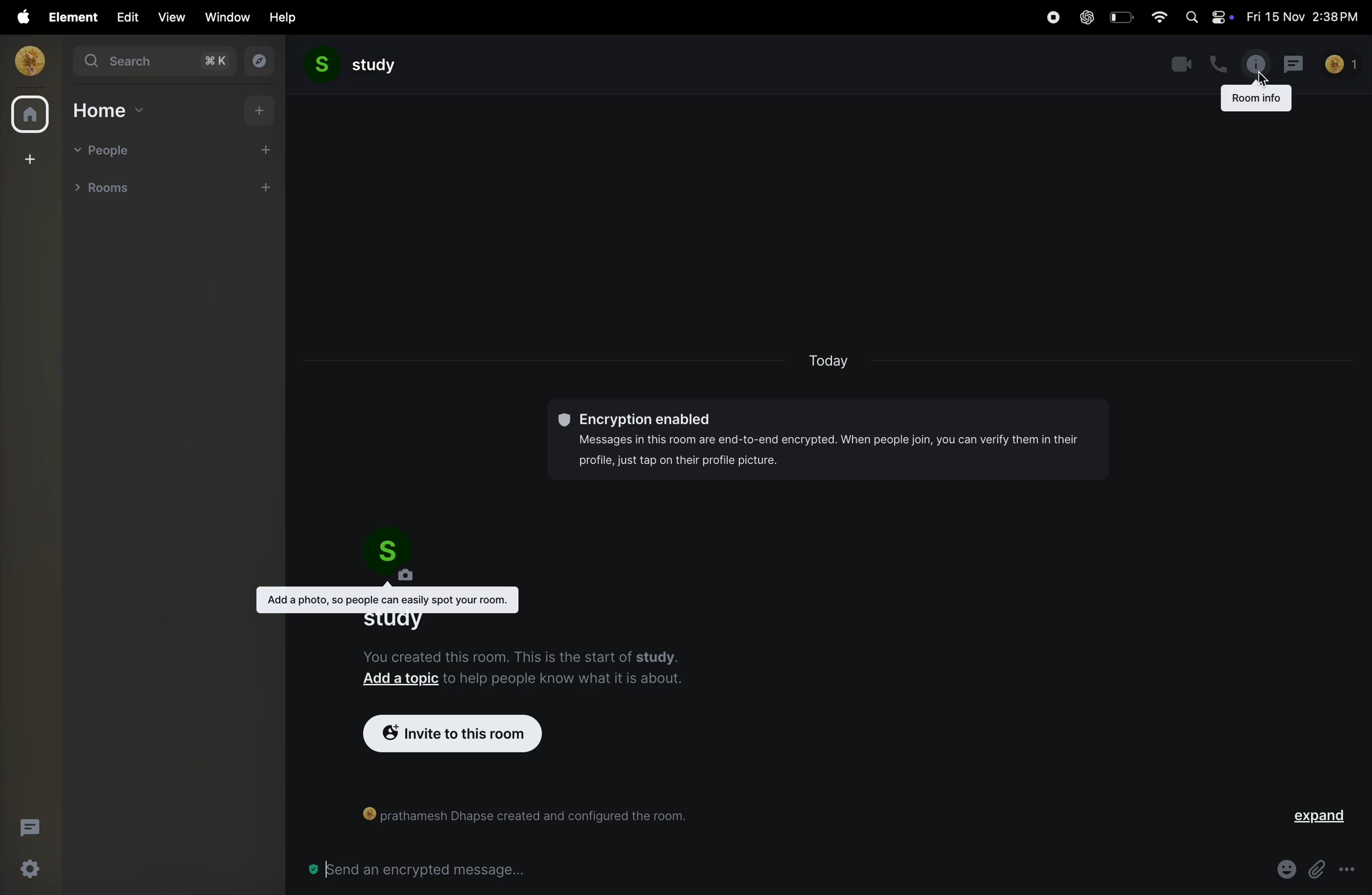  Describe the element at coordinates (391, 622) in the screenshot. I see `study` at that location.